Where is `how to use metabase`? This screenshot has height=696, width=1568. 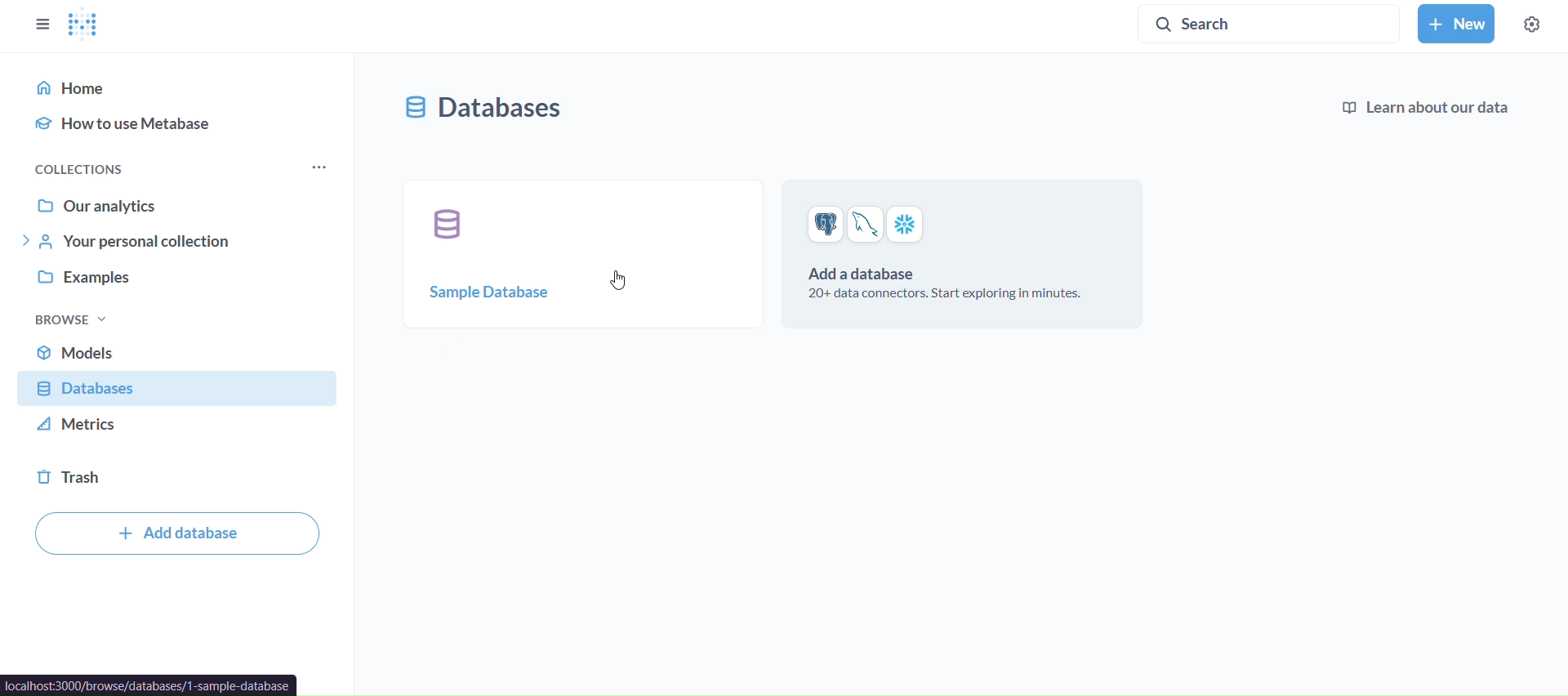
how to use metabase is located at coordinates (179, 123).